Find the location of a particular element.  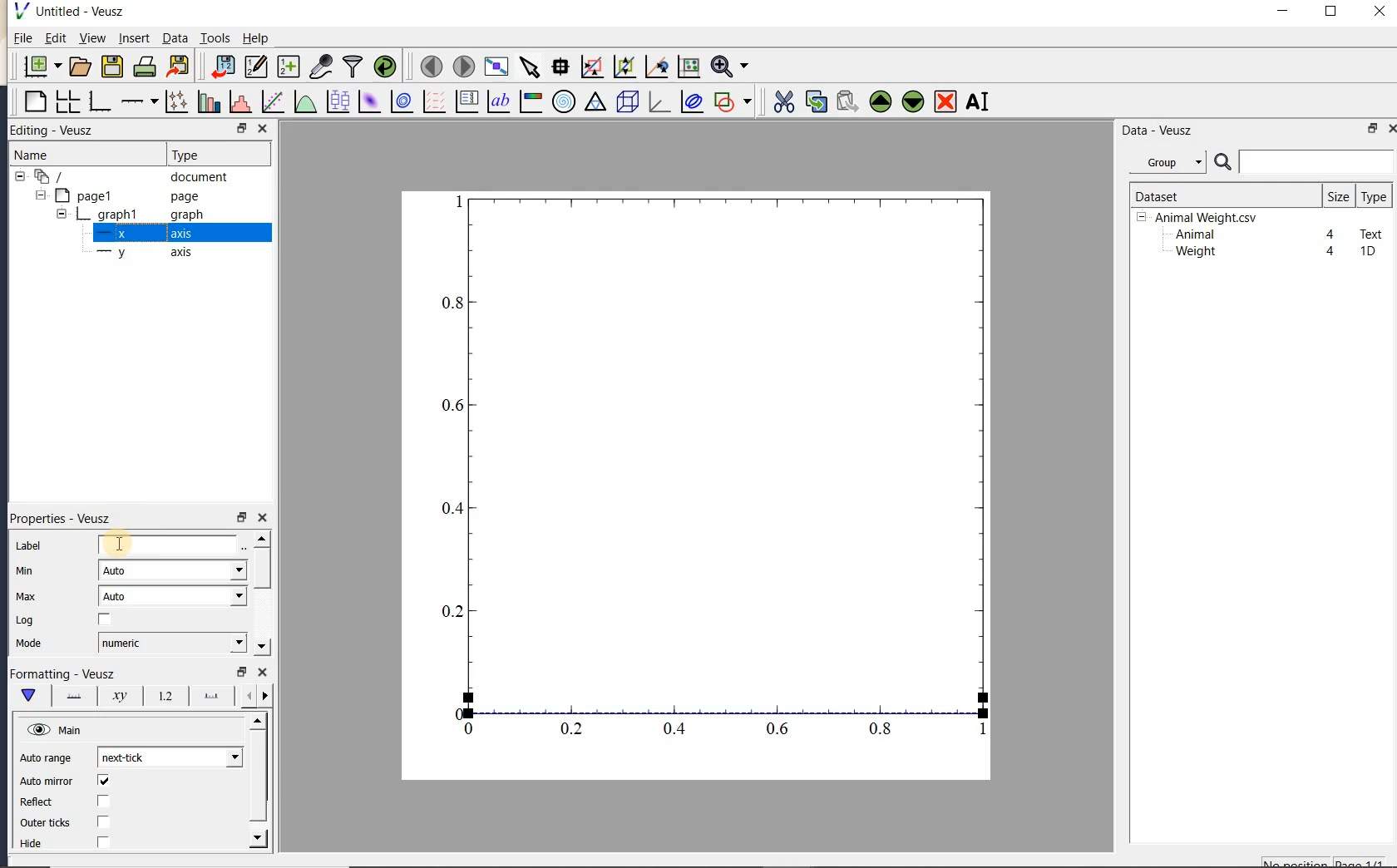

click to zoom out of graph axes is located at coordinates (625, 66).